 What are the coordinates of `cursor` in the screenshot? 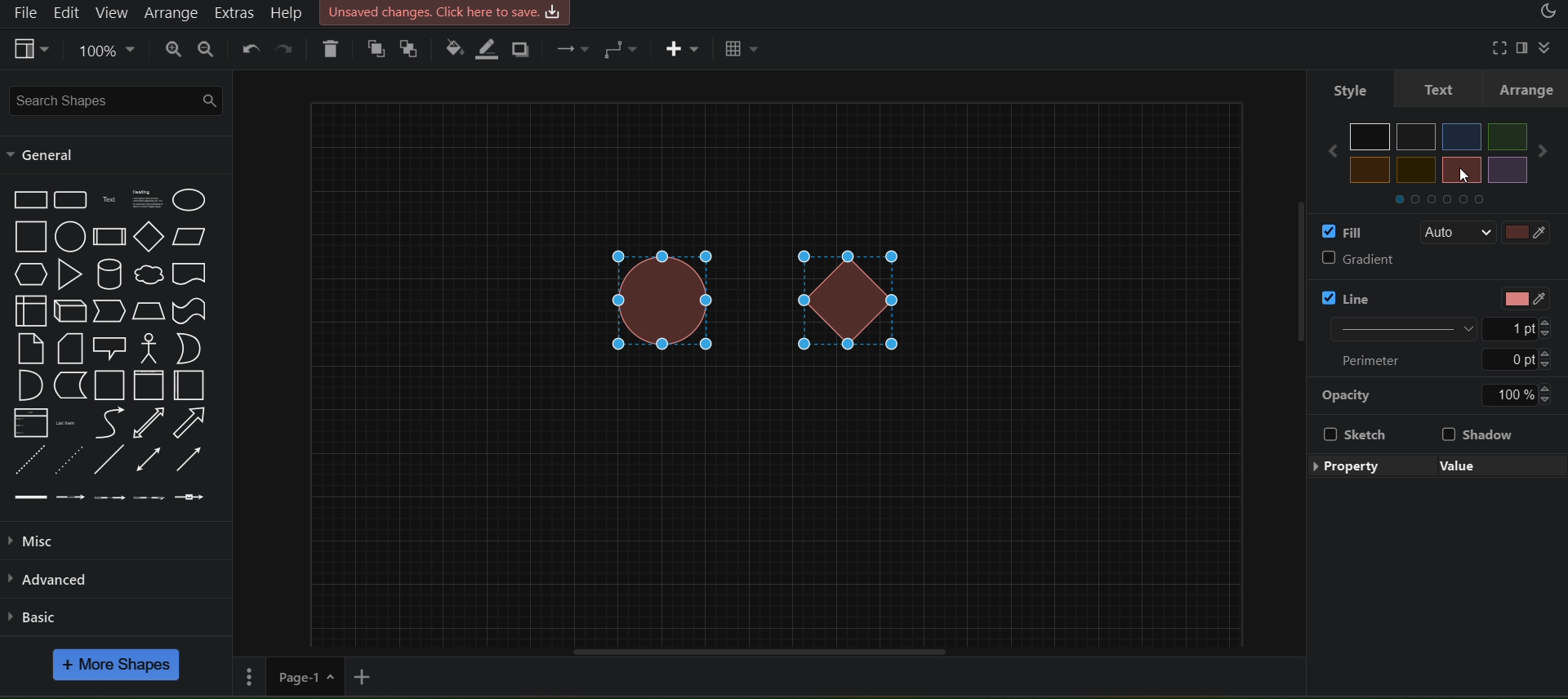 It's located at (1463, 173).